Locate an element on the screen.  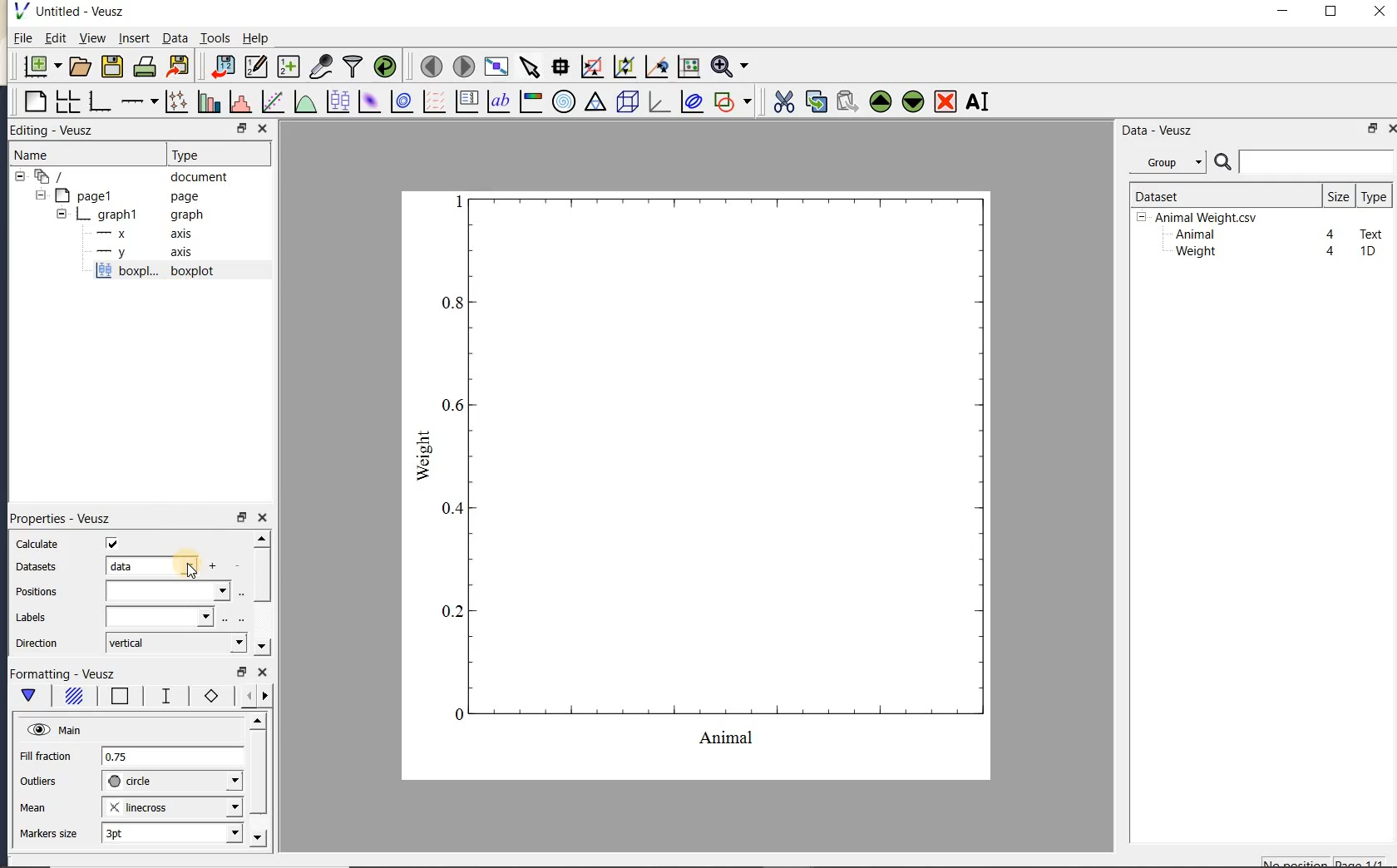
cursor is located at coordinates (189, 565).